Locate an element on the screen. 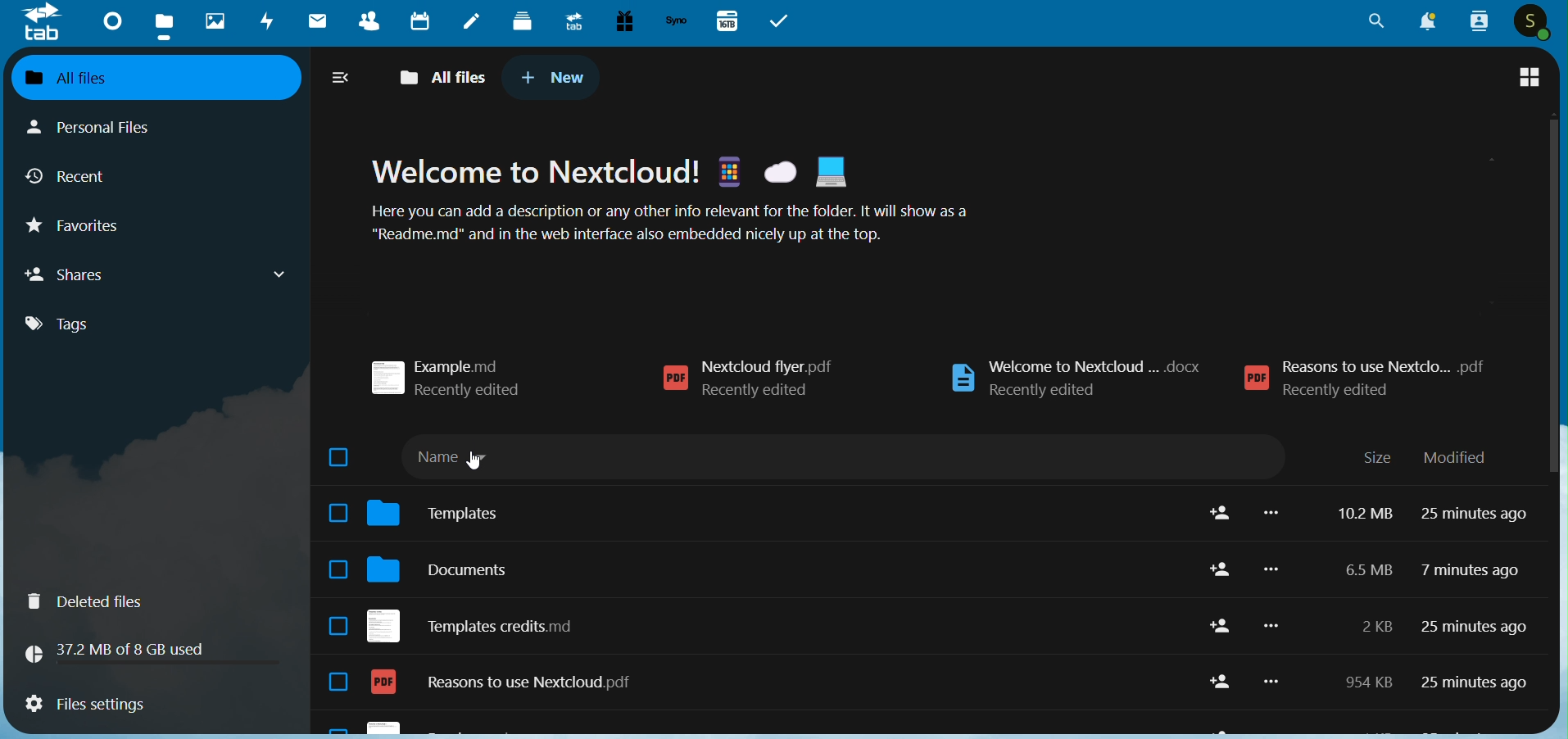 Image resolution: width=1568 pixels, height=739 pixels. tile view is located at coordinates (1529, 76).